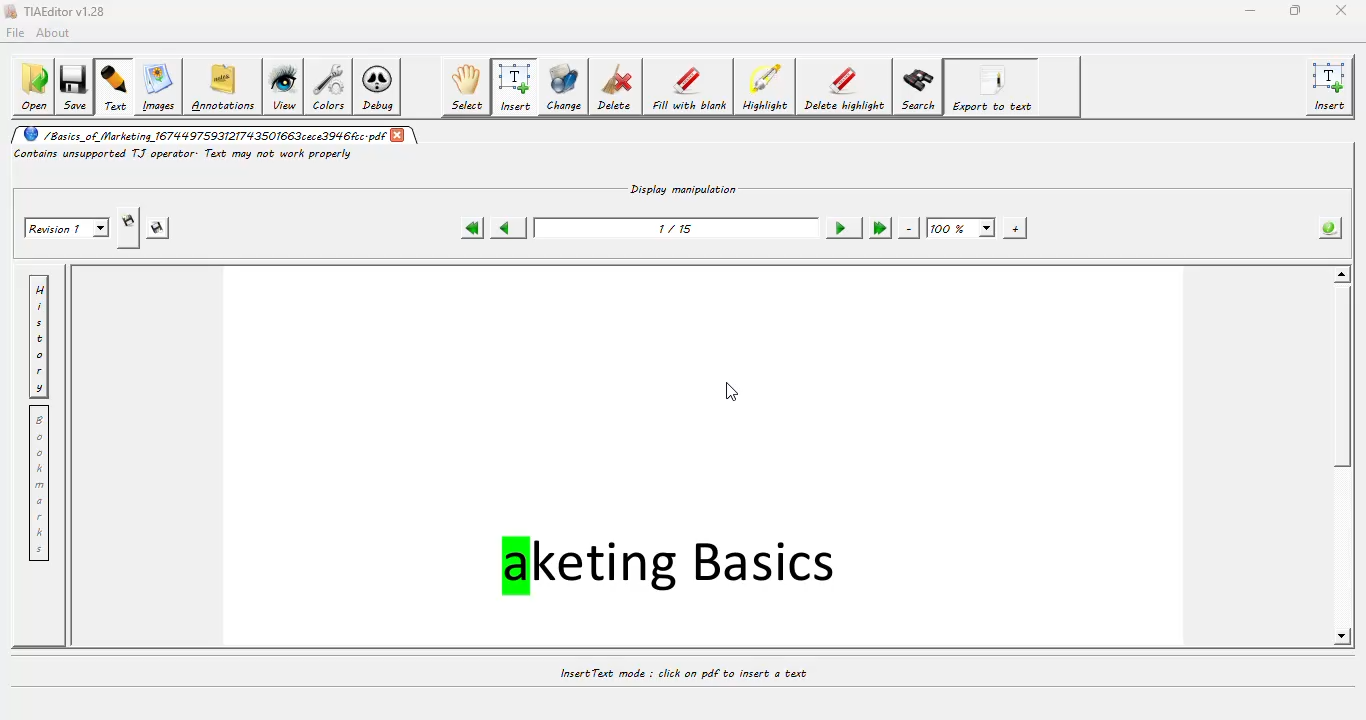 The height and width of the screenshot is (720, 1366). I want to click on /Basics_of Marketing 16744 9759312174 350166 3cece3946cc.pdf, so click(201, 135).